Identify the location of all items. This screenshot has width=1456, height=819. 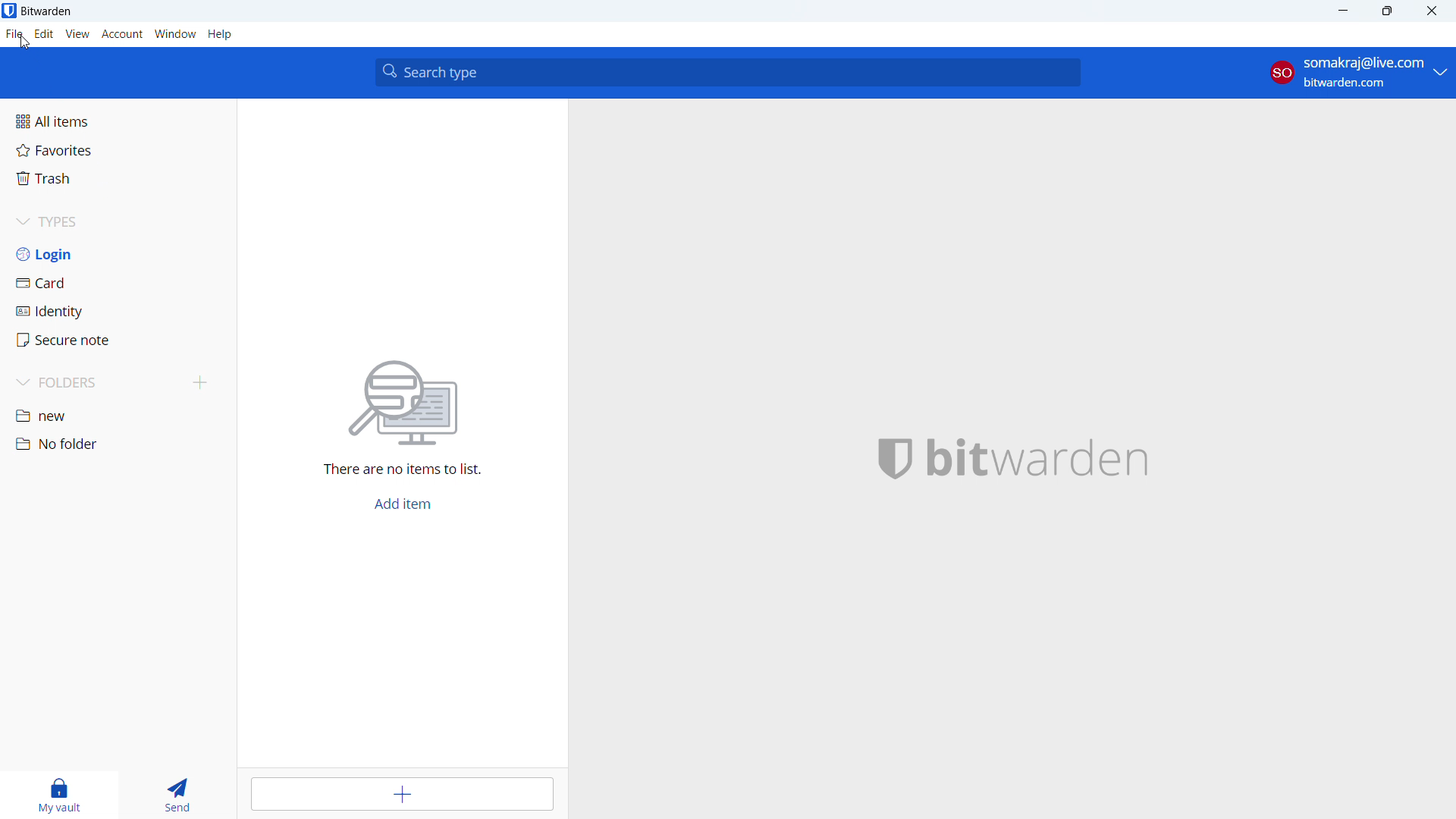
(117, 120).